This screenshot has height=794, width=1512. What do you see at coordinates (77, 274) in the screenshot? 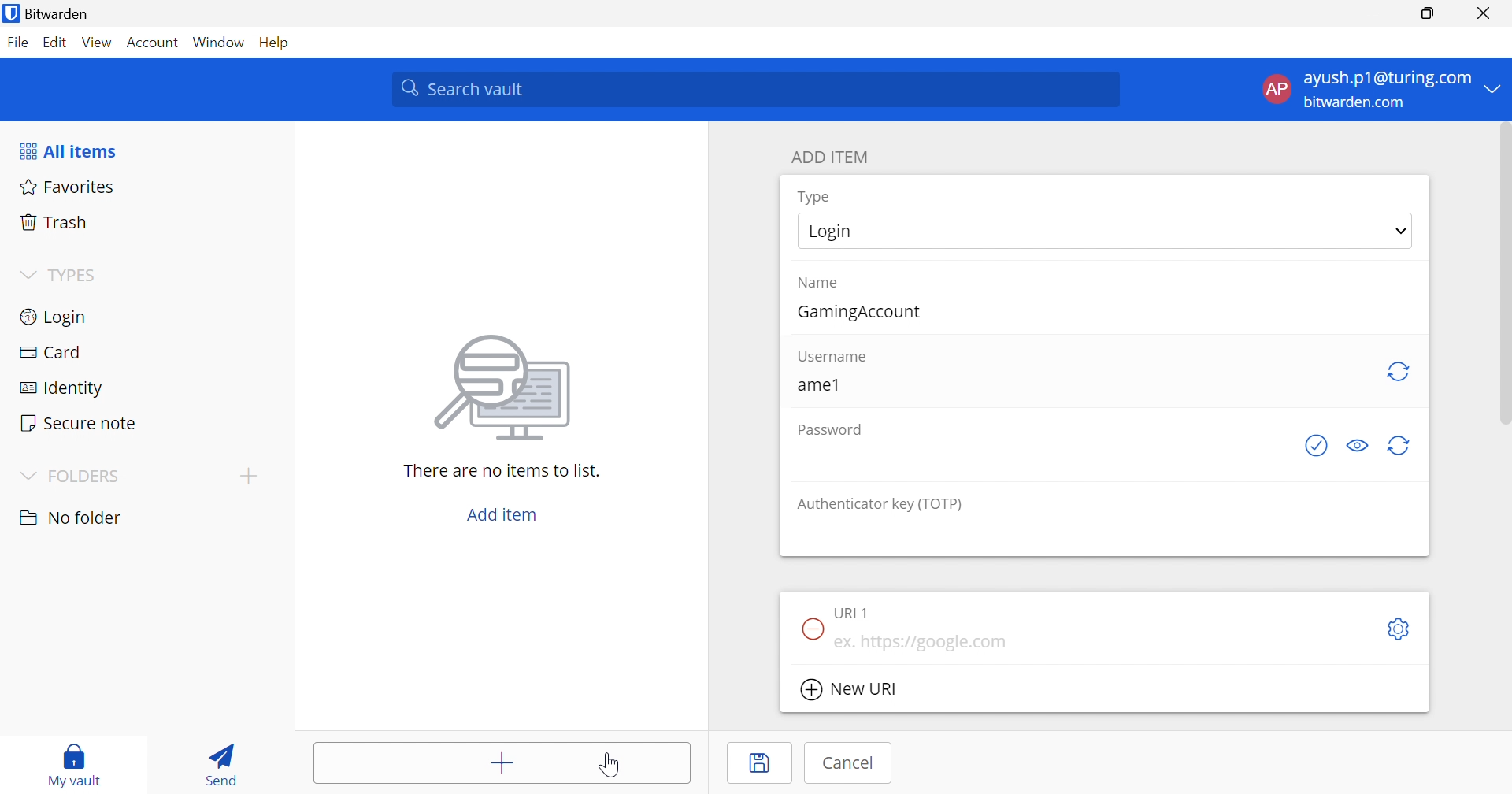
I see `TYPES` at bounding box center [77, 274].